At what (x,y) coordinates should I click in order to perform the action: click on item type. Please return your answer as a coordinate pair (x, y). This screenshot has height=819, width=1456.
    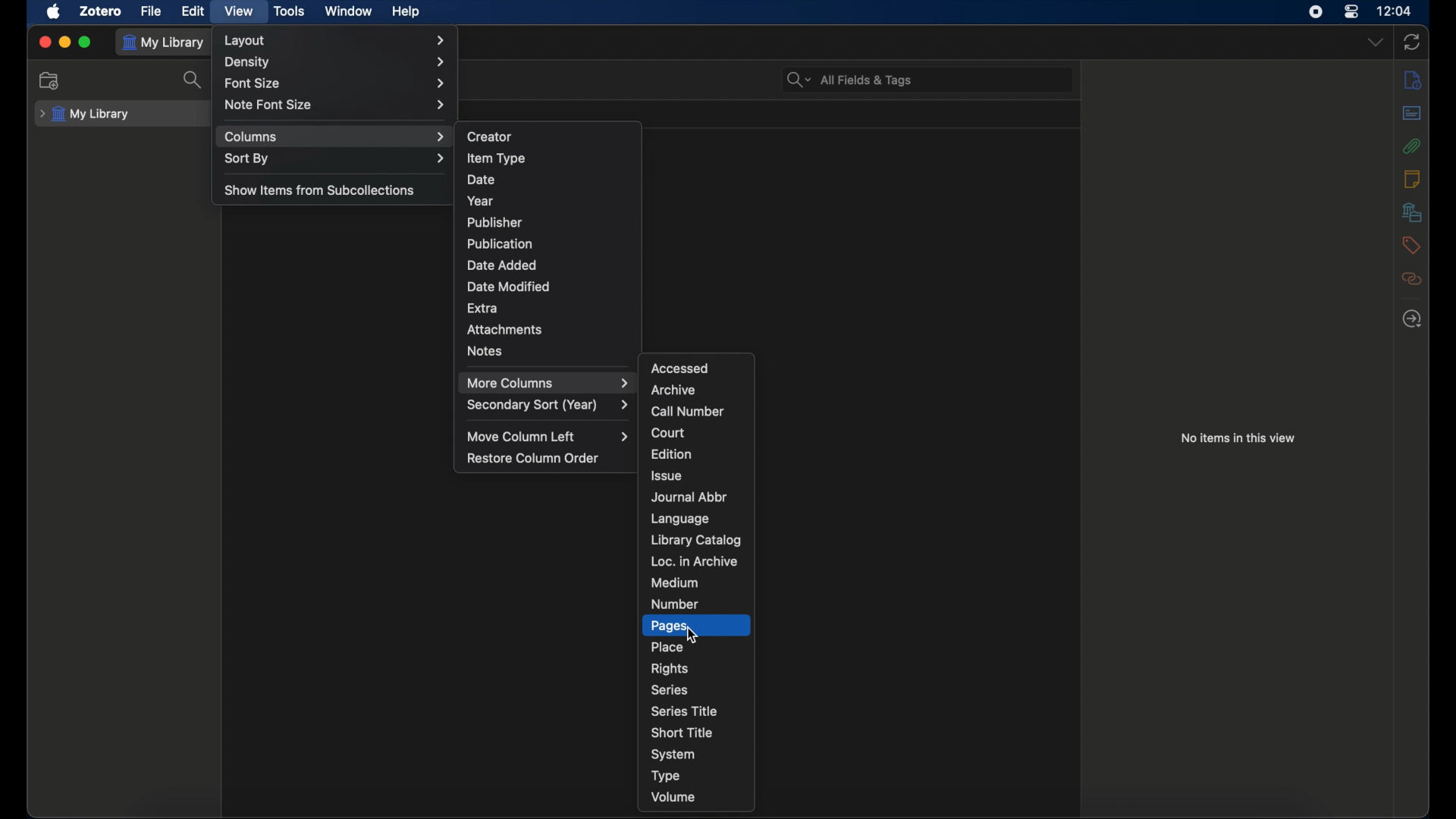
    Looking at the image, I should click on (496, 158).